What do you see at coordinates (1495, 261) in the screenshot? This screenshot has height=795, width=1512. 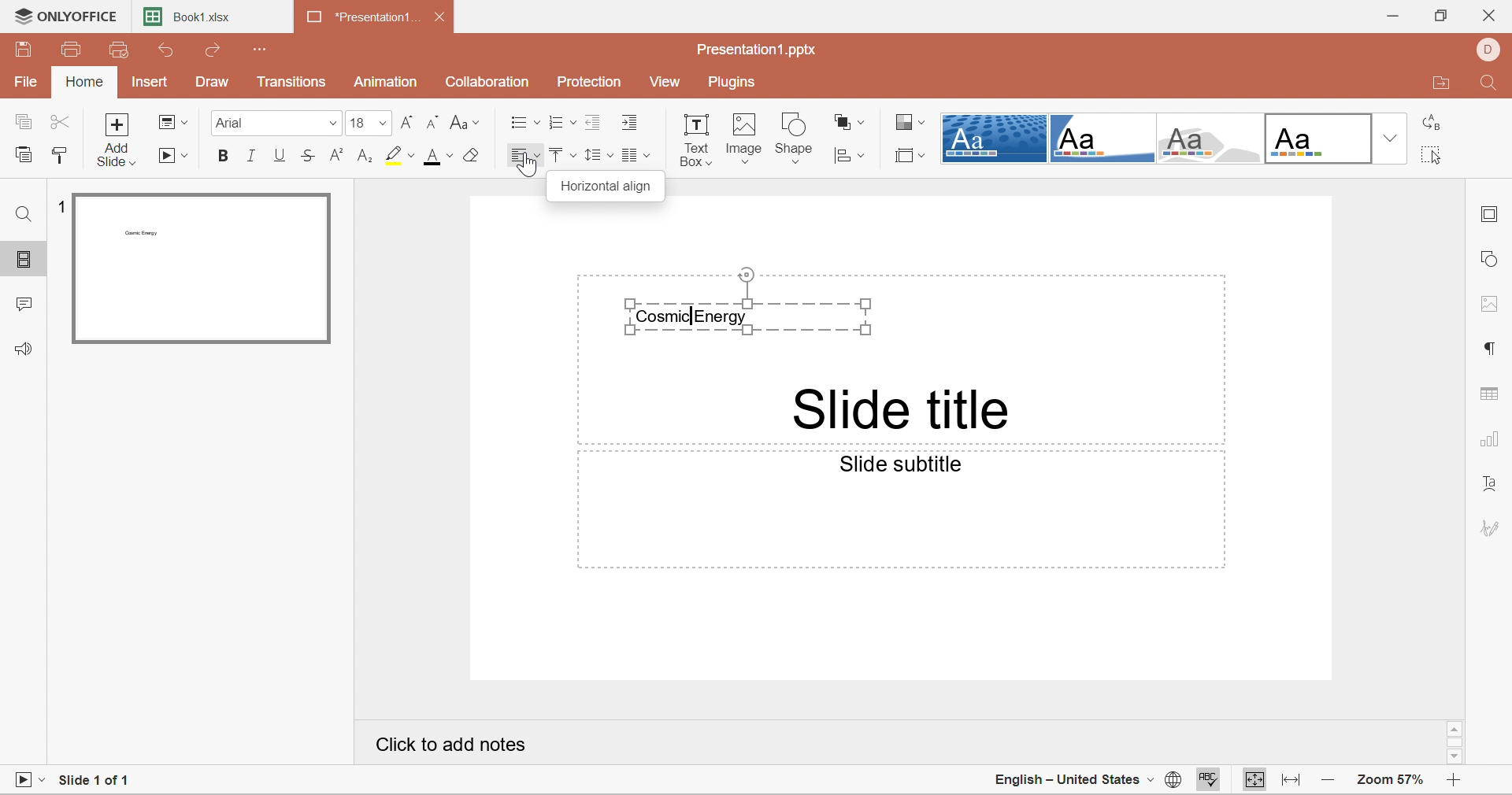 I see `Shape settings` at bounding box center [1495, 261].